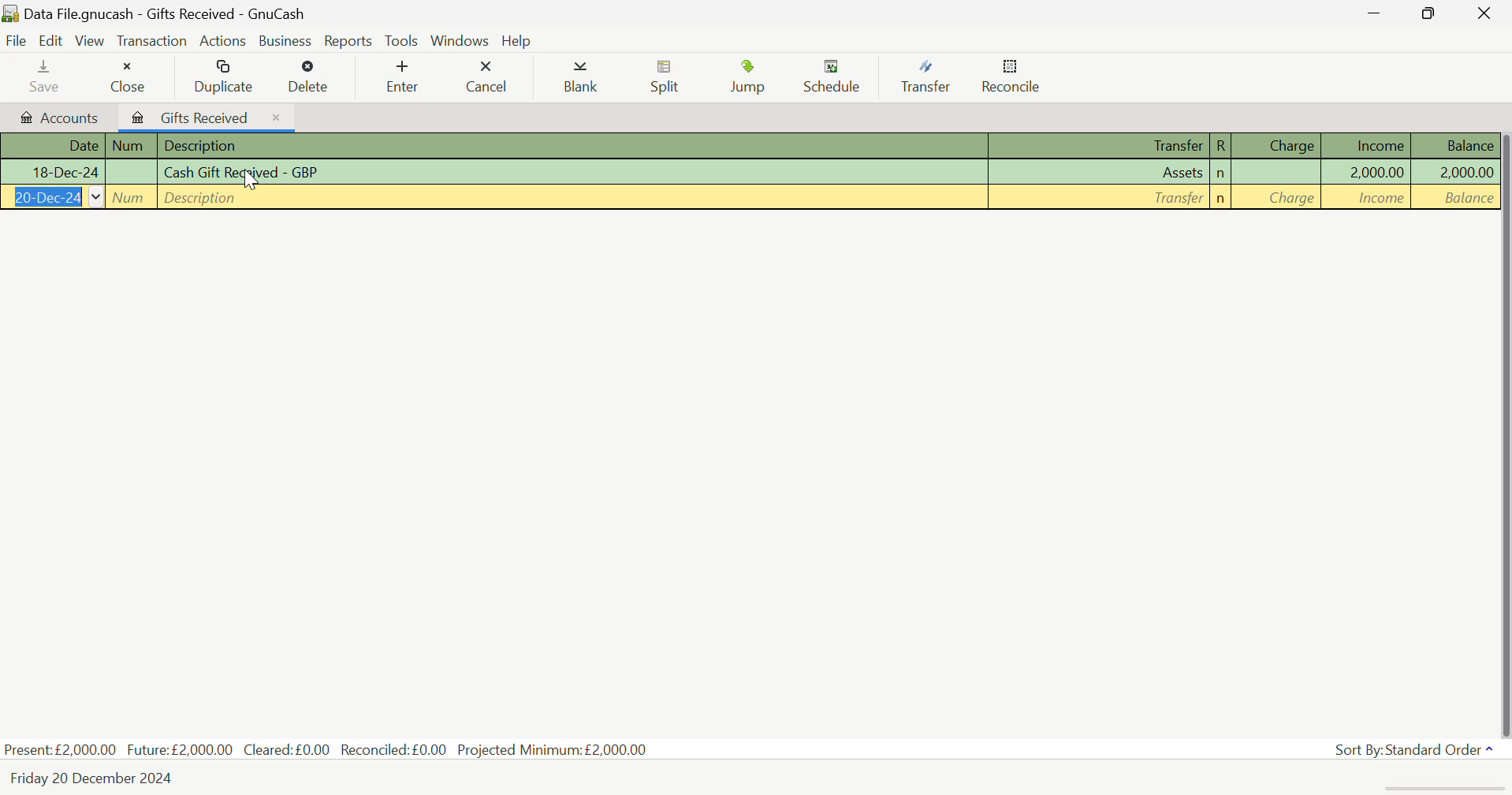 The width and height of the screenshot is (1512, 795). Describe the element at coordinates (132, 172) in the screenshot. I see `Num` at that location.